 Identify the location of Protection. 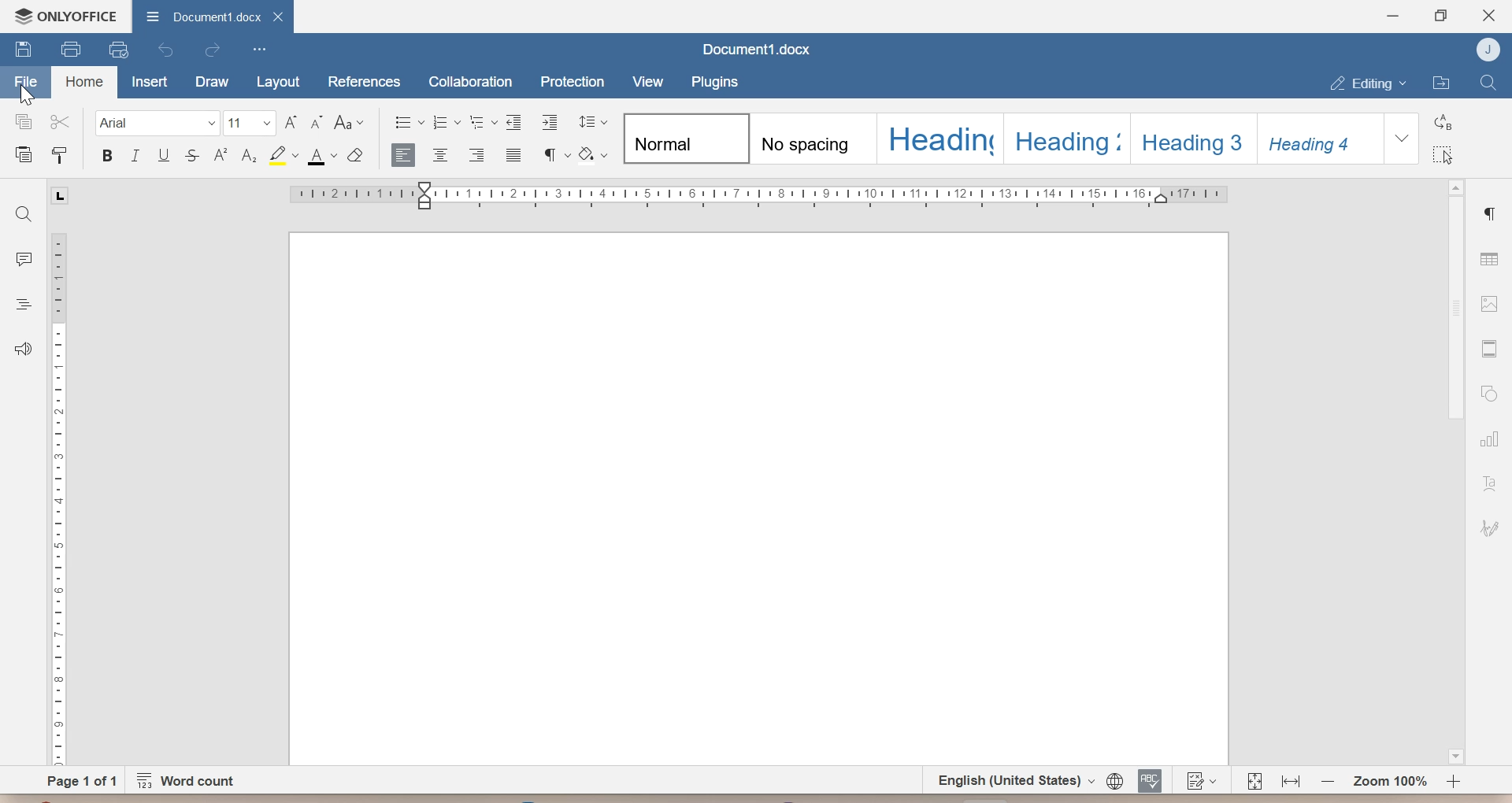
(572, 79).